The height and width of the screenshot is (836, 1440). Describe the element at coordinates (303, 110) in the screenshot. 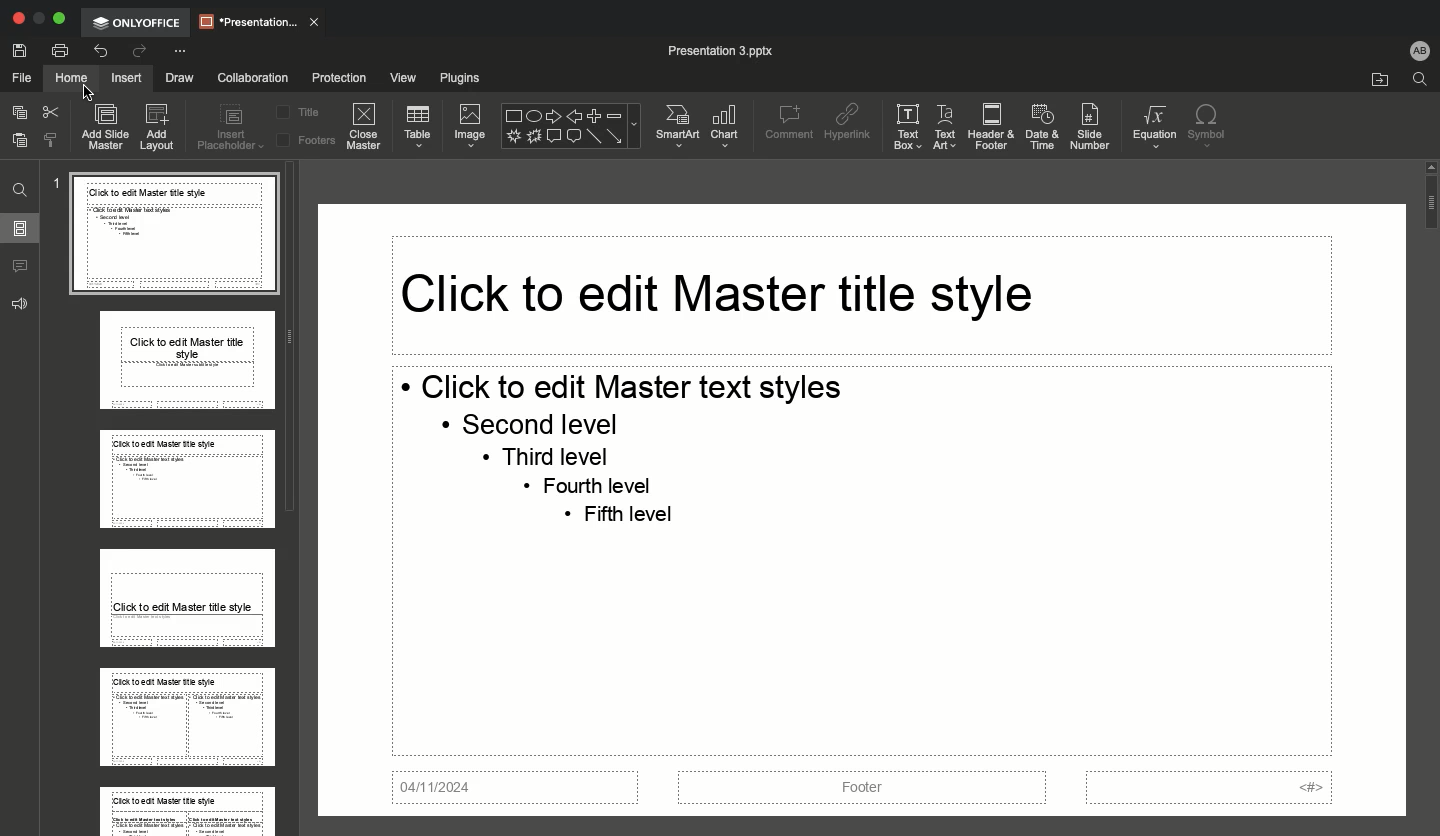

I see `Title` at that location.